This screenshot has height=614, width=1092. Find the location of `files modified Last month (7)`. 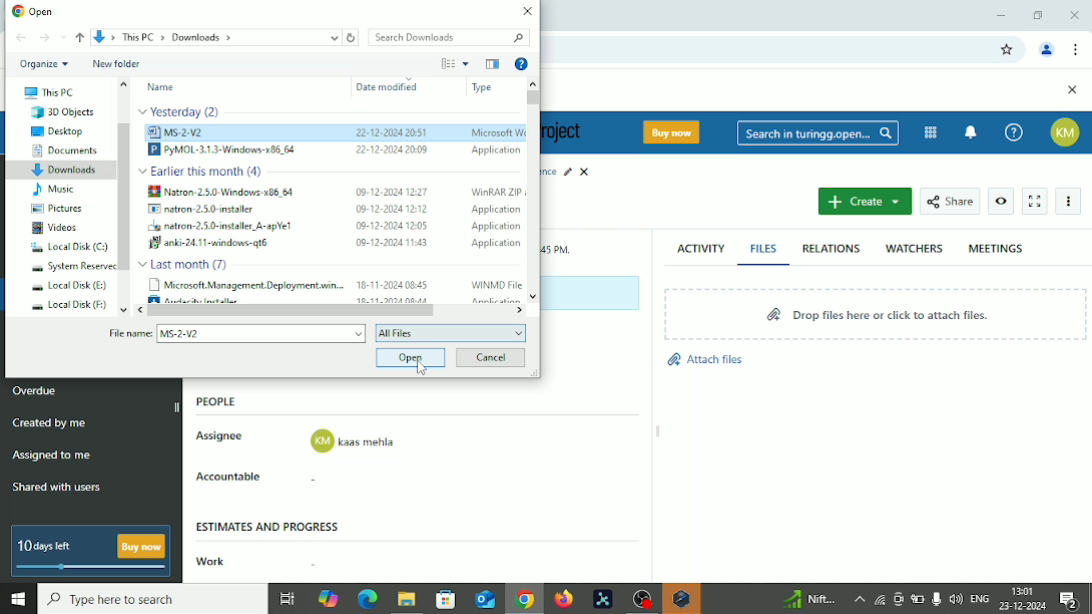

files modified Last month (7) is located at coordinates (188, 264).